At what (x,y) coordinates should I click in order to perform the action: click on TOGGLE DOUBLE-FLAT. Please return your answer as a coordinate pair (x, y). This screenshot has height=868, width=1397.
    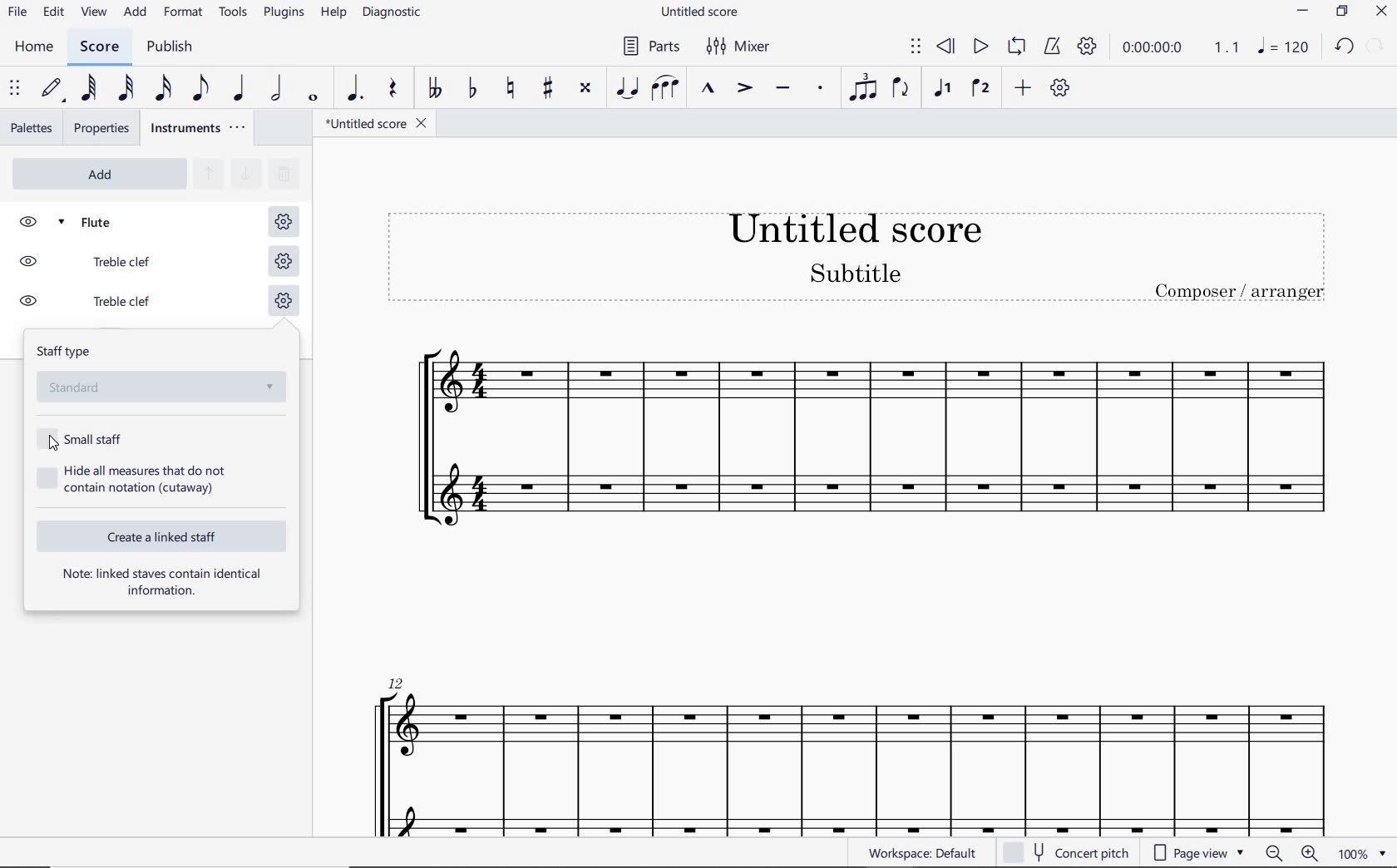
    Looking at the image, I should click on (433, 89).